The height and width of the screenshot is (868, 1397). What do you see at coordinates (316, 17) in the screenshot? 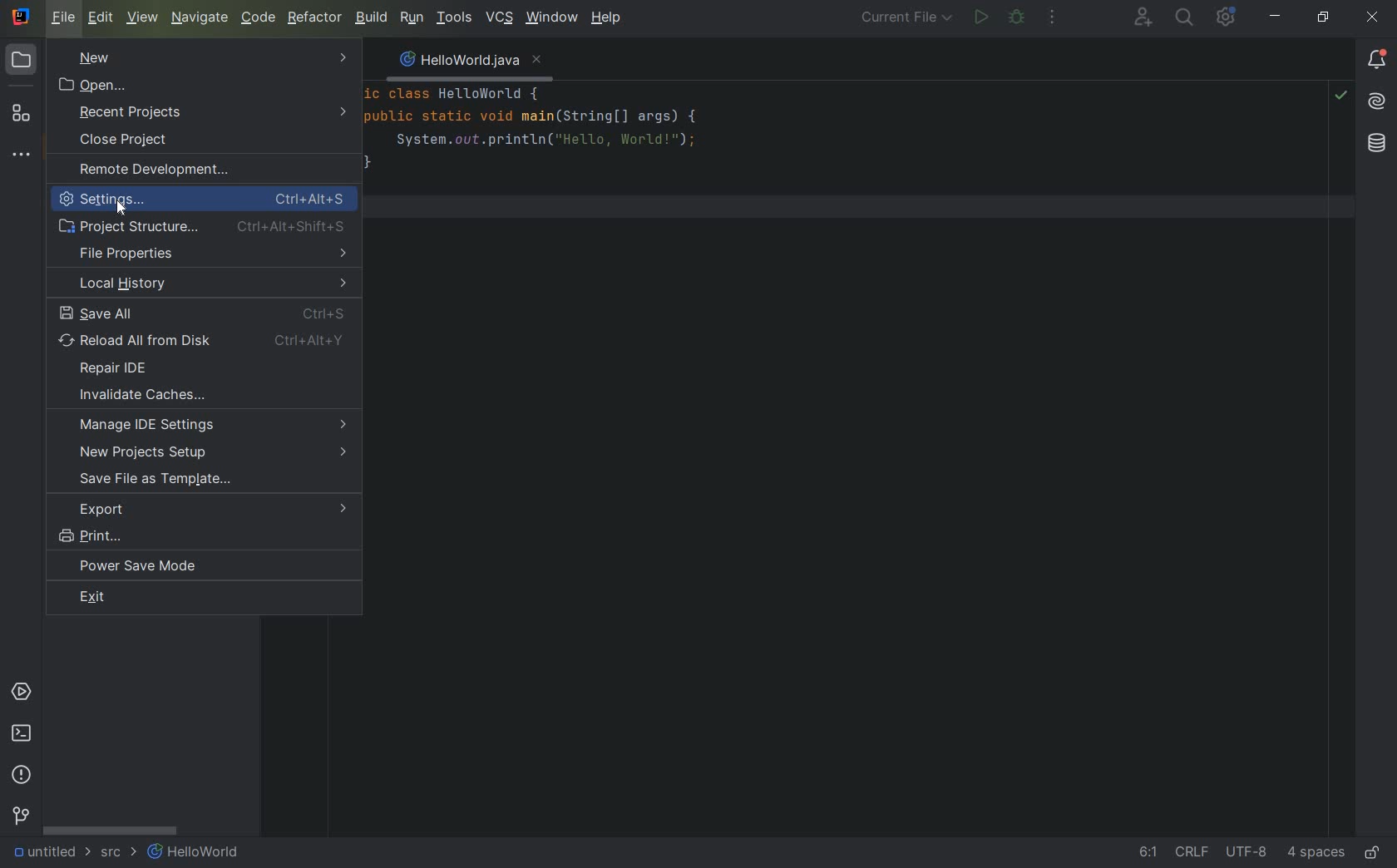
I see `REFACTOR` at bounding box center [316, 17].